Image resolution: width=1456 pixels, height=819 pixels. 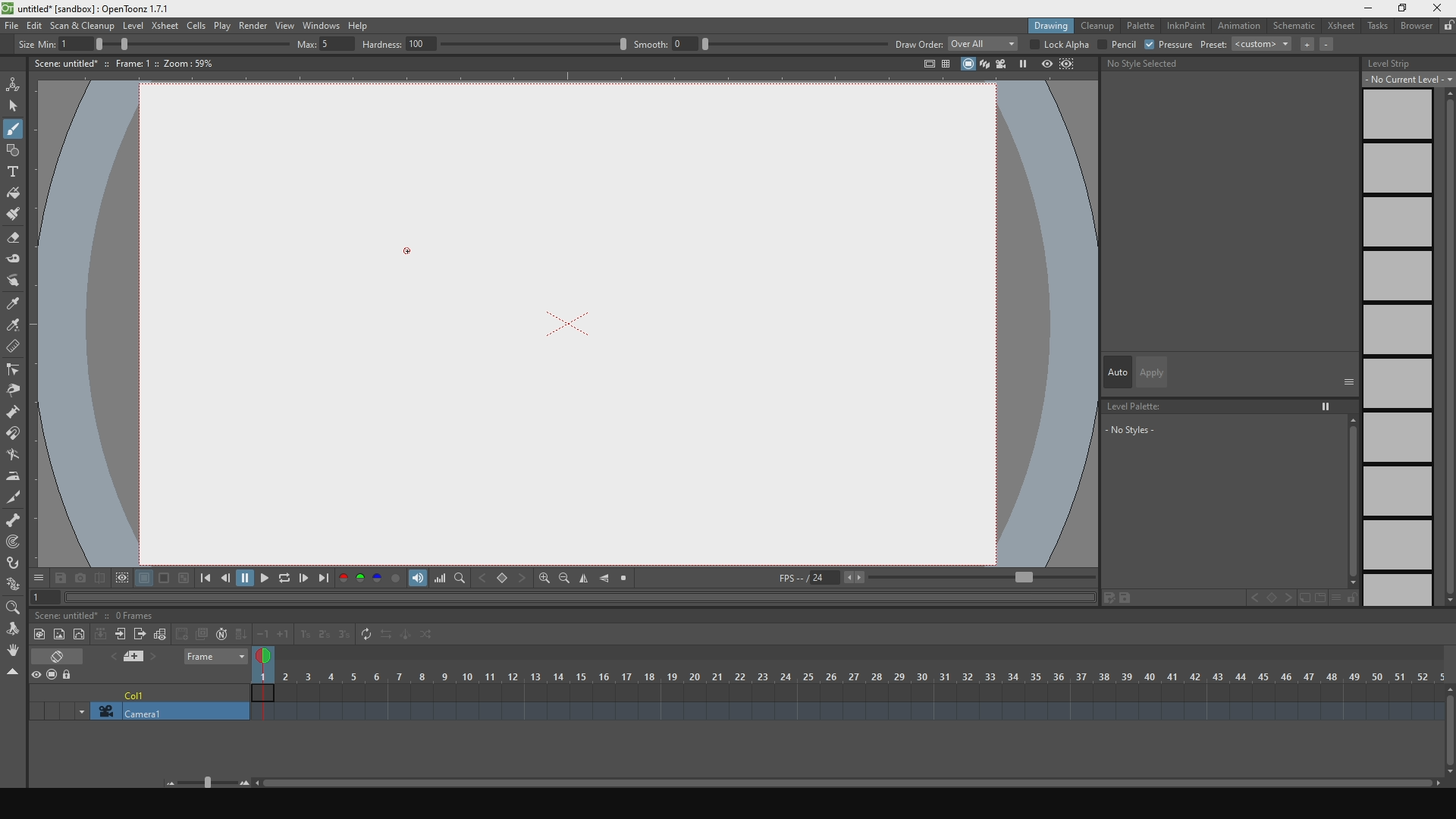 I want to click on cursor, so click(x=406, y=256).